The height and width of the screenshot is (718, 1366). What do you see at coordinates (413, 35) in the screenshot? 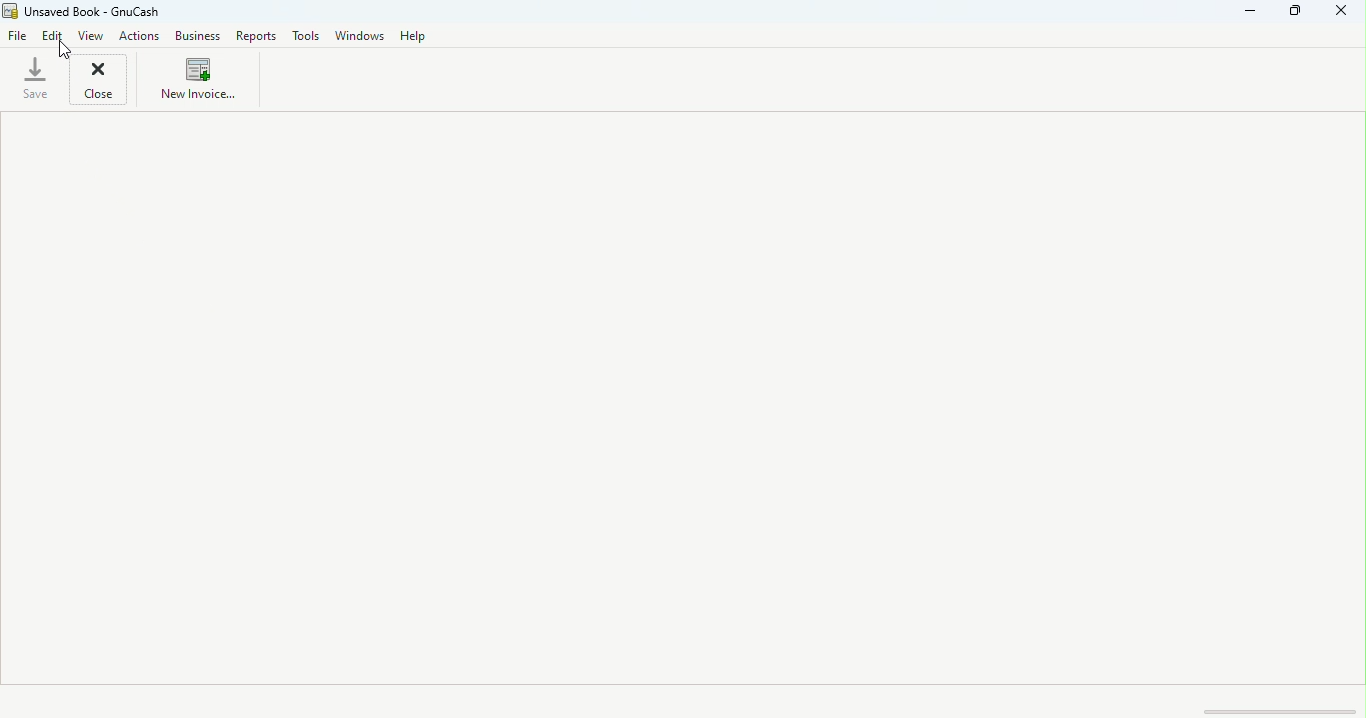
I see `Help` at bounding box center [413, 35].